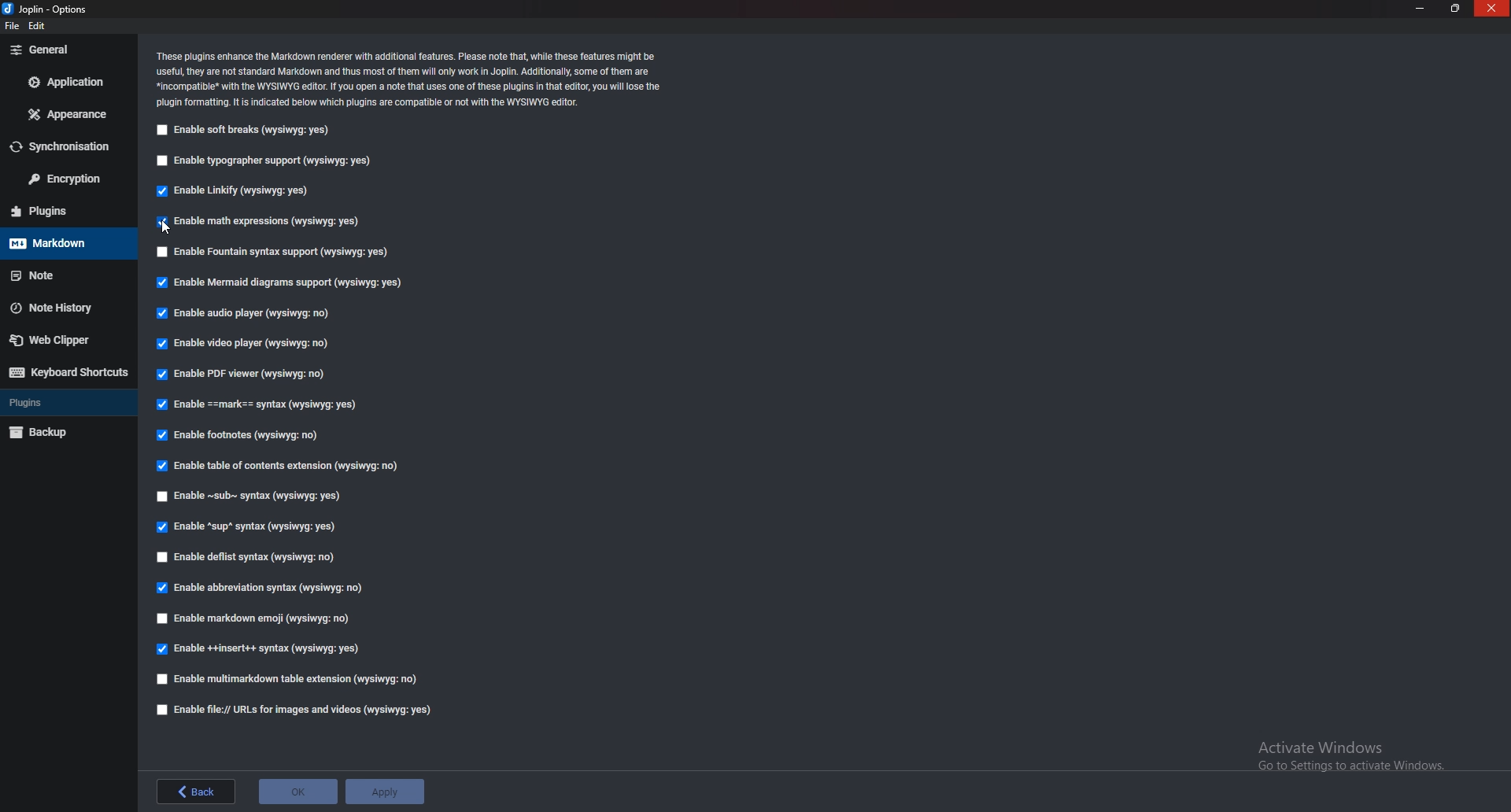 The image size is (1511, 812). I want to click on Web clipper, so click(59, 341).